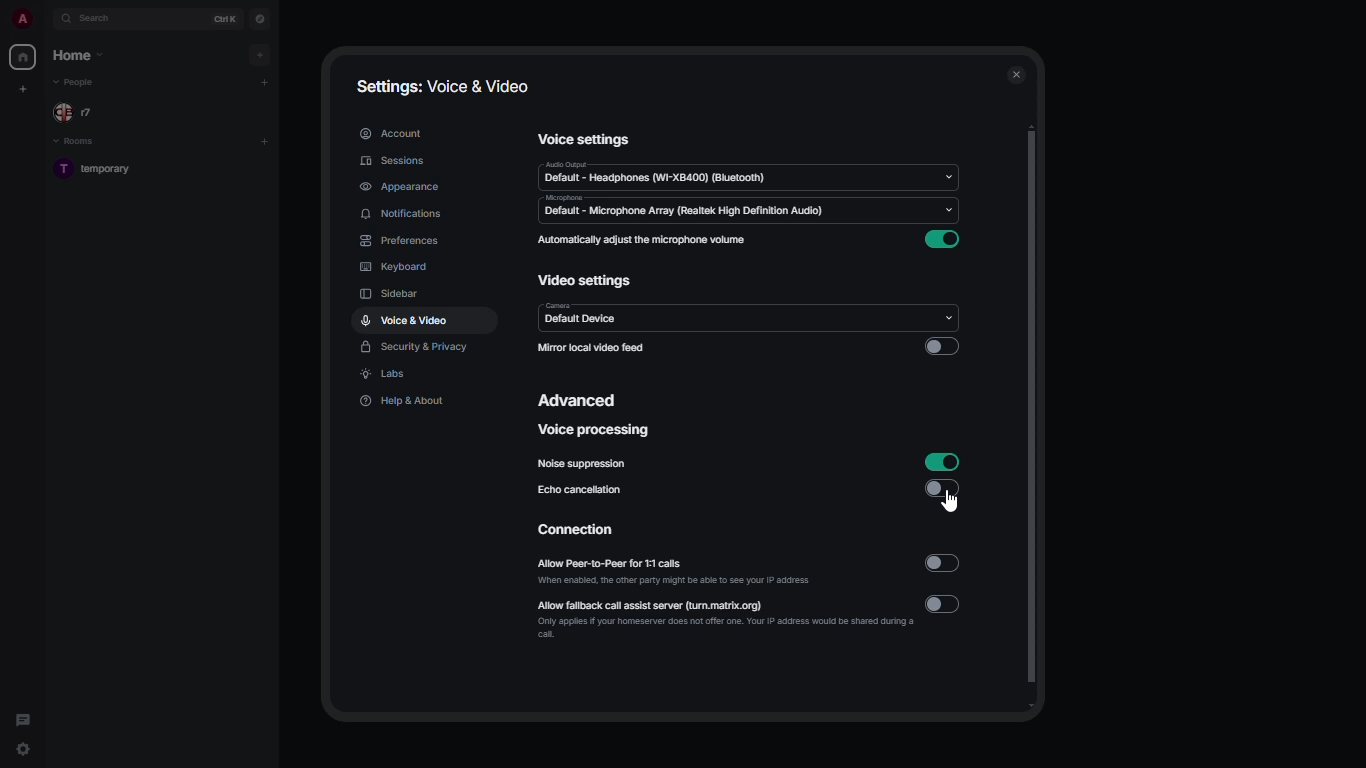 The width and height of the screenshot is (1366, 768). I want to click on voice & video, so click(404, 320).